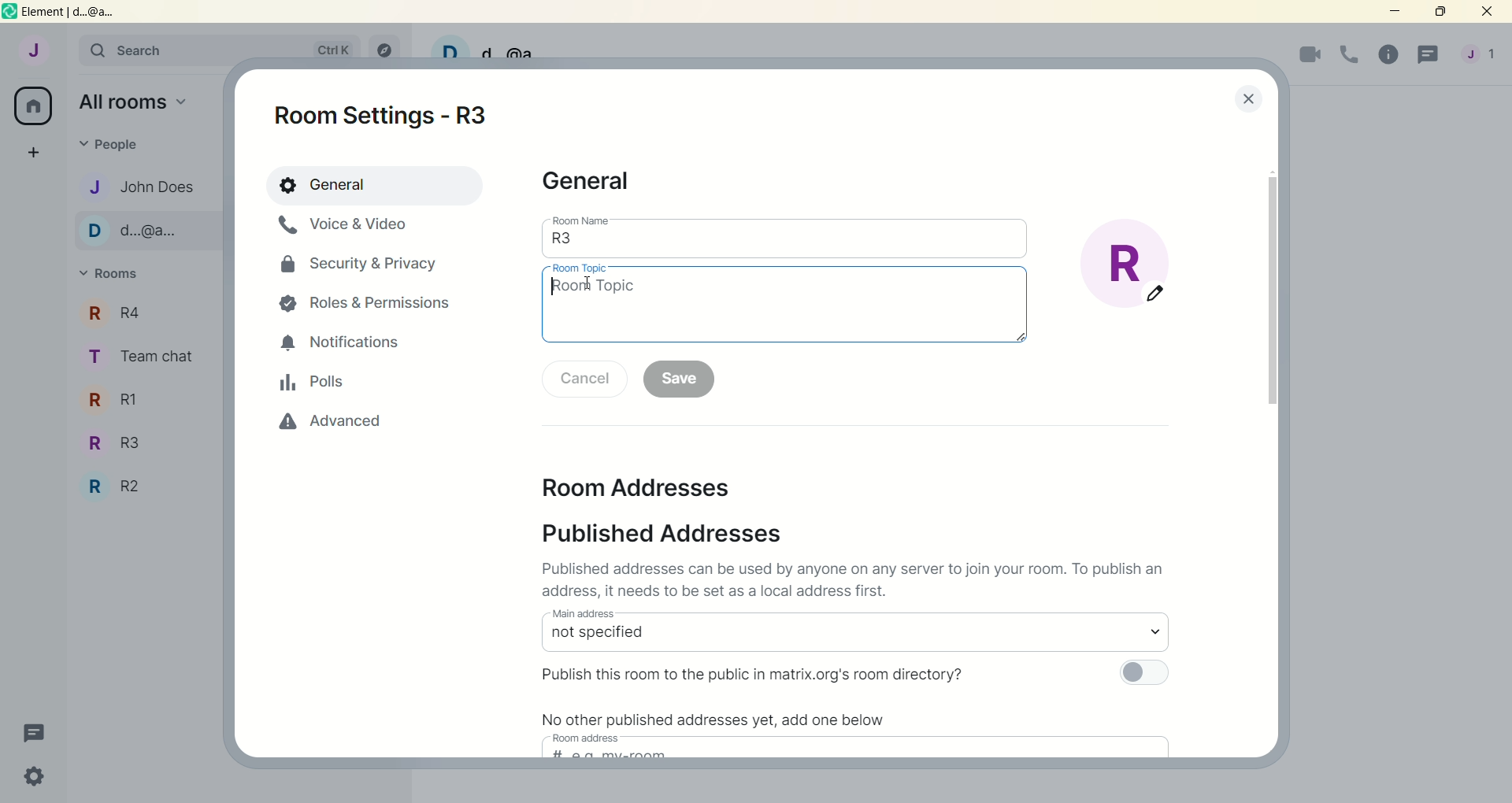 Image resolution: width=1512 pixels, height=803 pixels. What do you see at coordinates (783, 245) in the screenshot?
I see `room name` at bounding box center [783, 245].